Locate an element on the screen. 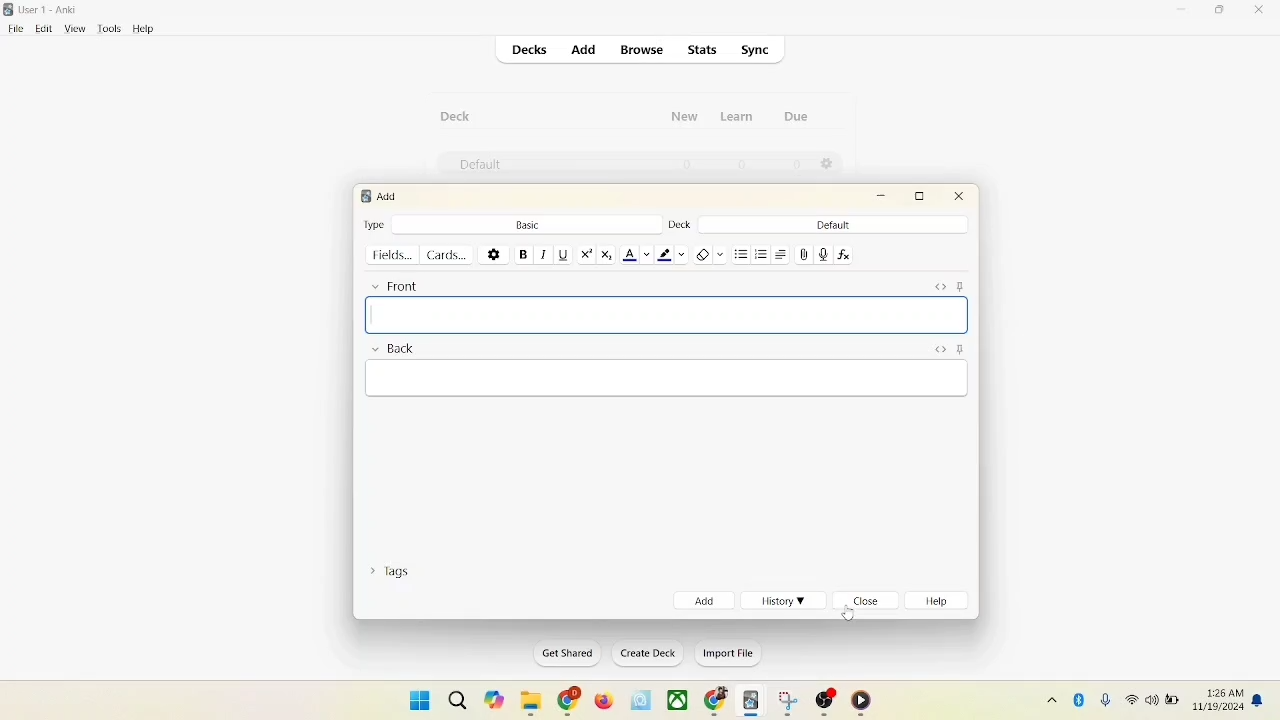 The image size is (1280, 720). search is located at coordinates (456, 696).